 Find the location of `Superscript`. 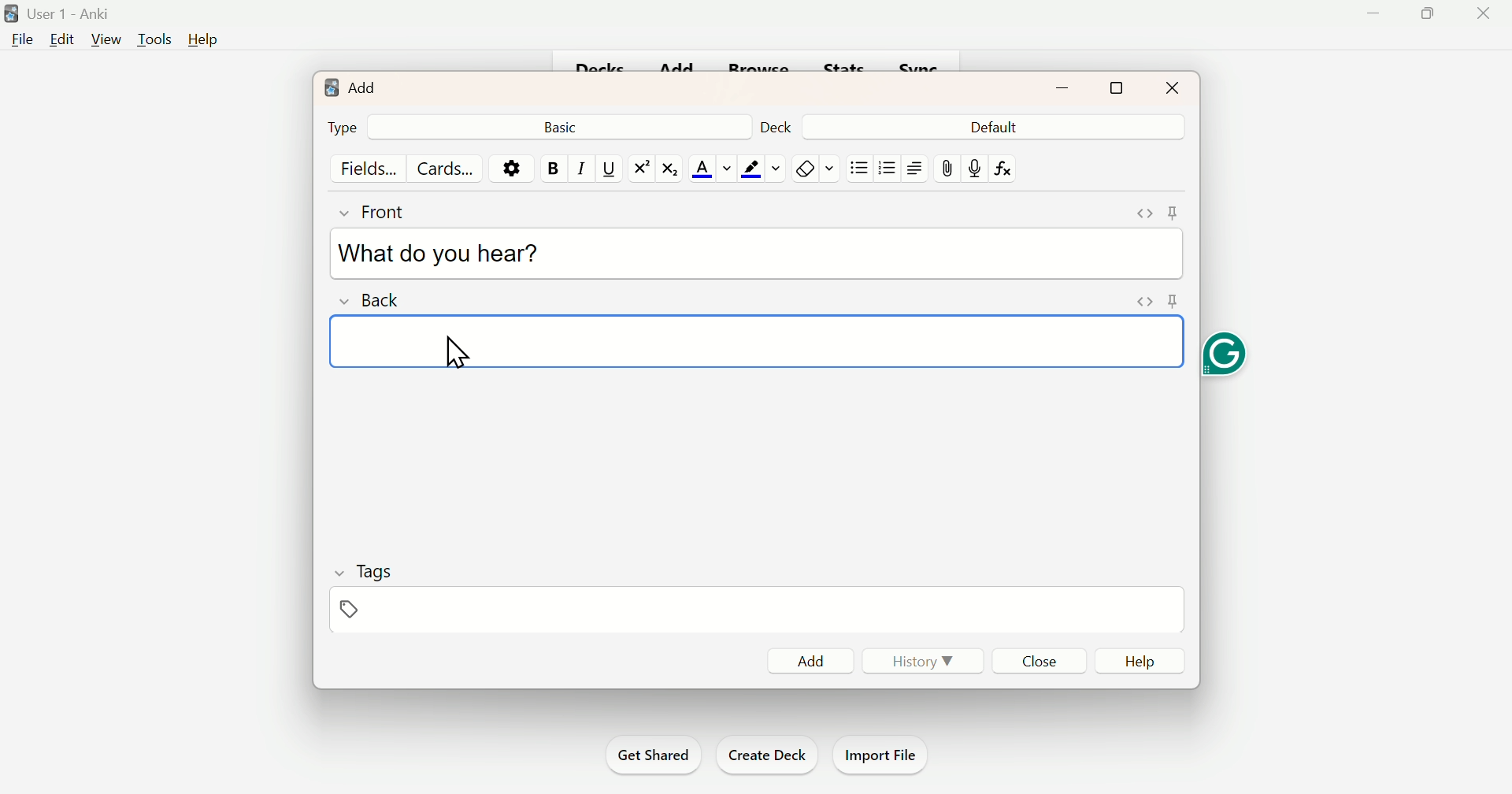

Superscript is located at coordinates (638, 169).